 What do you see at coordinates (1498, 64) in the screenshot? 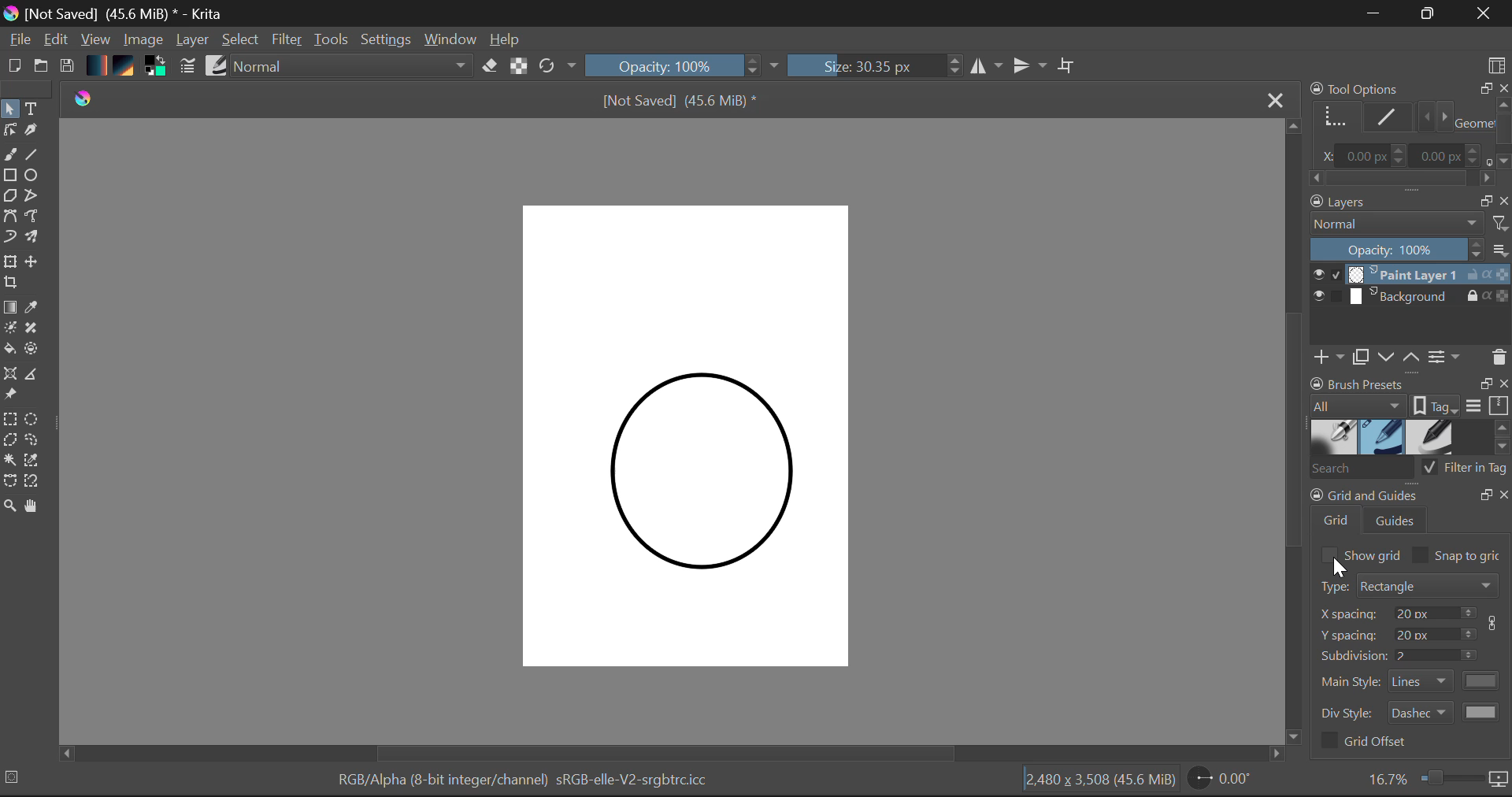
I see `Choose Workspace` at bounding box center [1498, 64].